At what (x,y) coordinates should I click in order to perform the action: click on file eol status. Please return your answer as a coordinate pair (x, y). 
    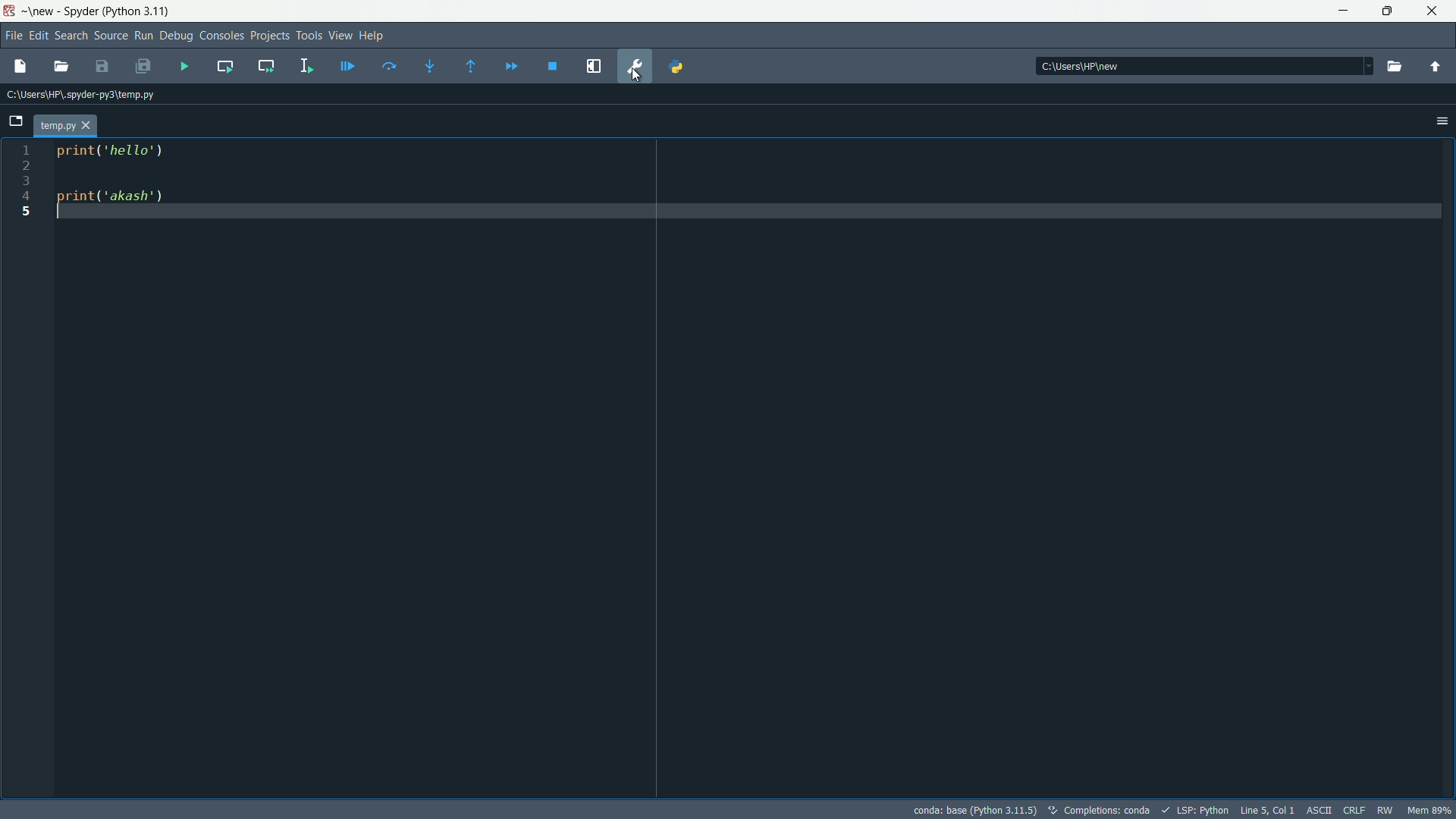
    Looking at the image, I should click on (1353, 808).